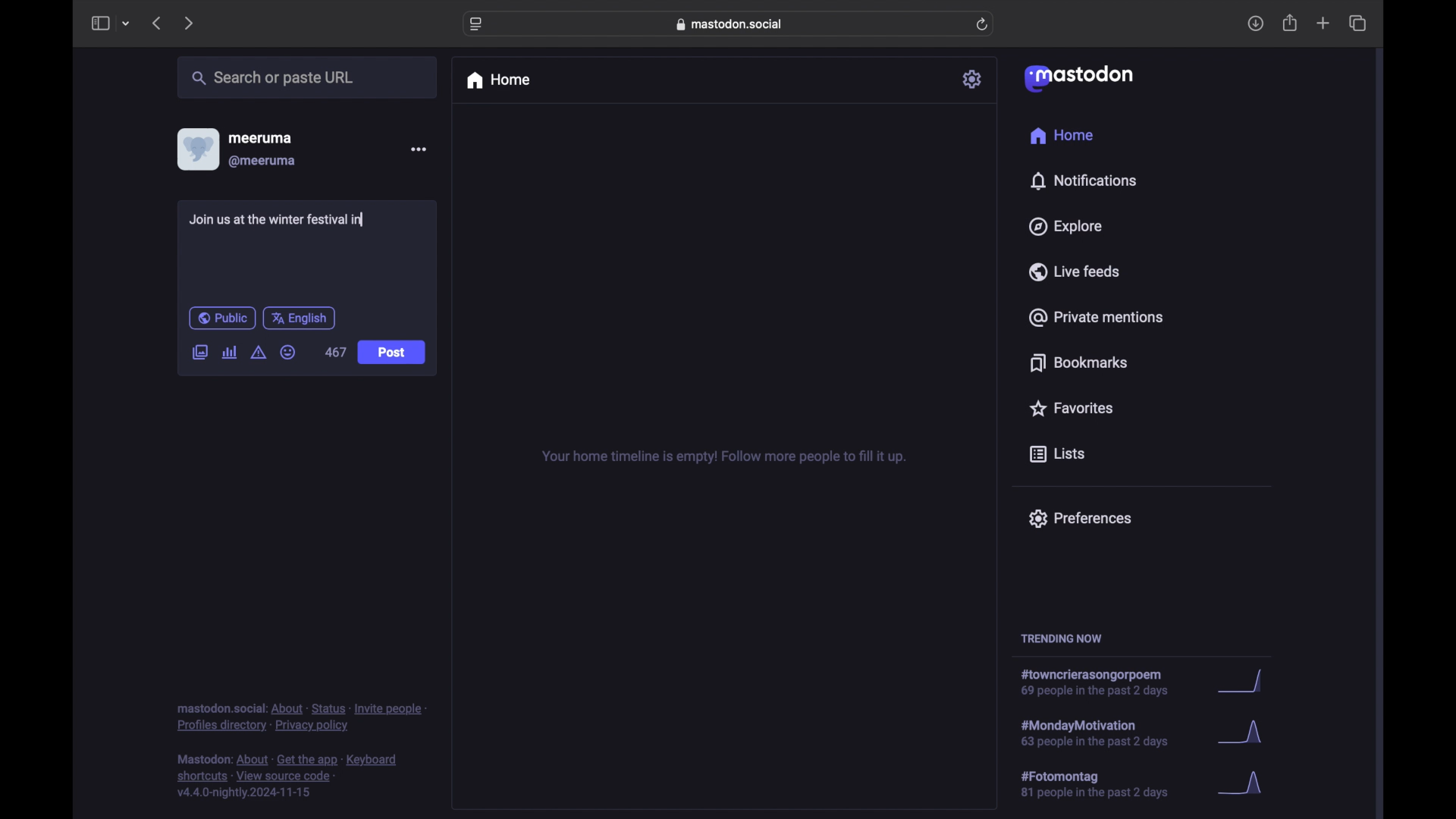 The image size is (1456, 819). What do you see at coordinates (199, 353) in the screenshot?
I see `add image` at bounding box center [199, 353].